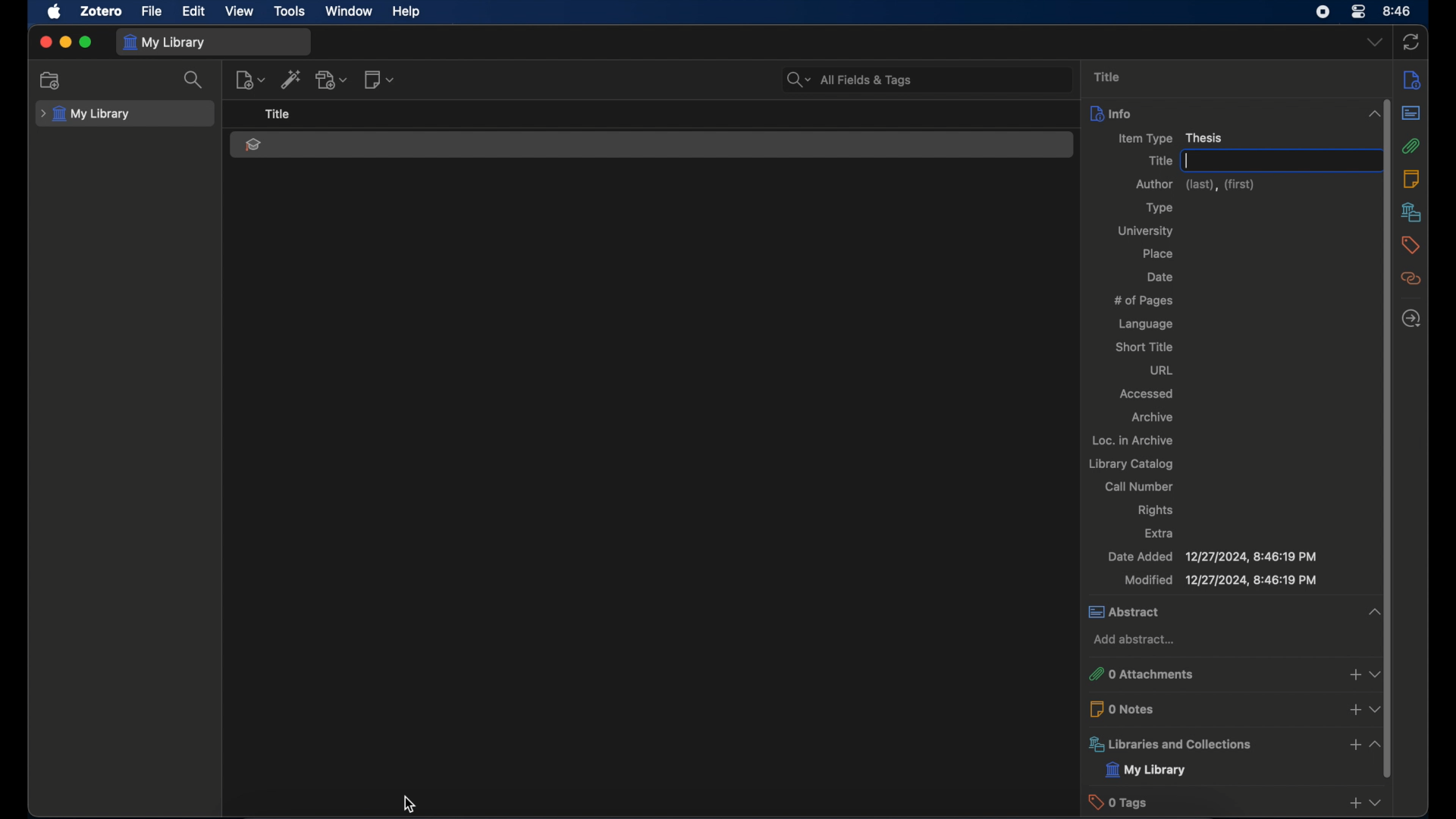 This screenshot has height=819, width=1456. Describe the element at coordinates (1357, 12) in the screenshot. I see `control center` at that location.